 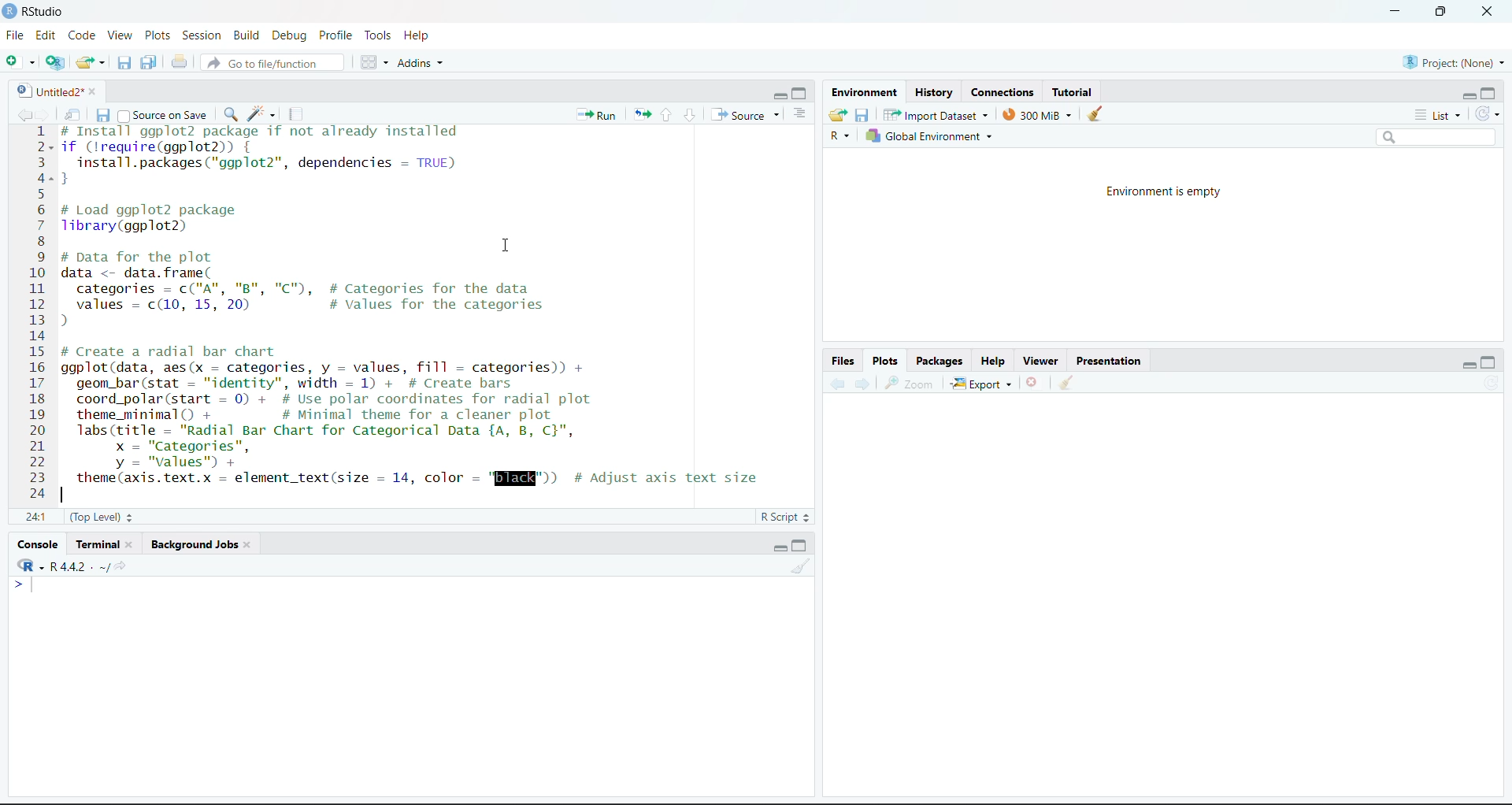 I want to click on workspace pane, so click(x=374, y=62).